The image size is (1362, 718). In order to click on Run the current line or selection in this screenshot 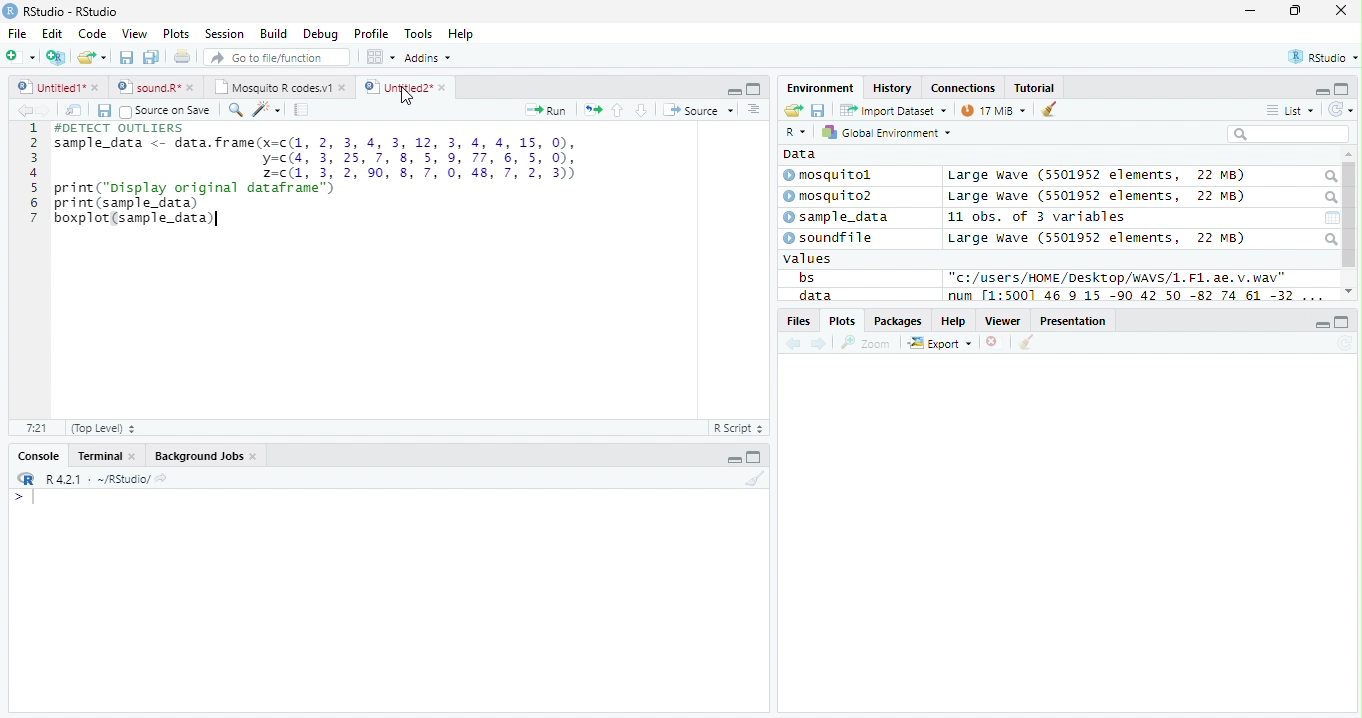, I will do `click(546, 111)`.